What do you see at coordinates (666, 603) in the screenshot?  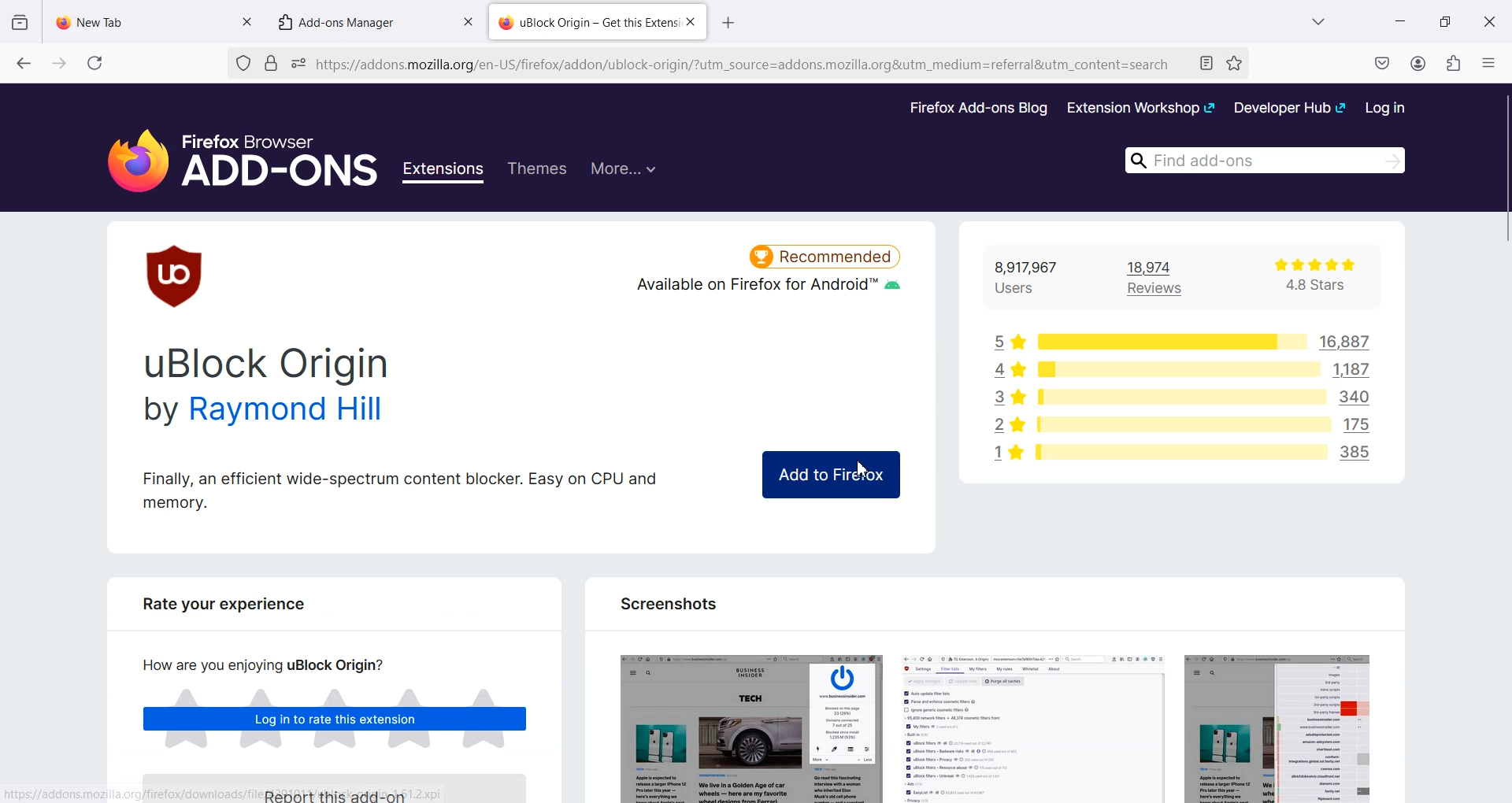 I see `Screenshots` at bounding box center [666, 603].